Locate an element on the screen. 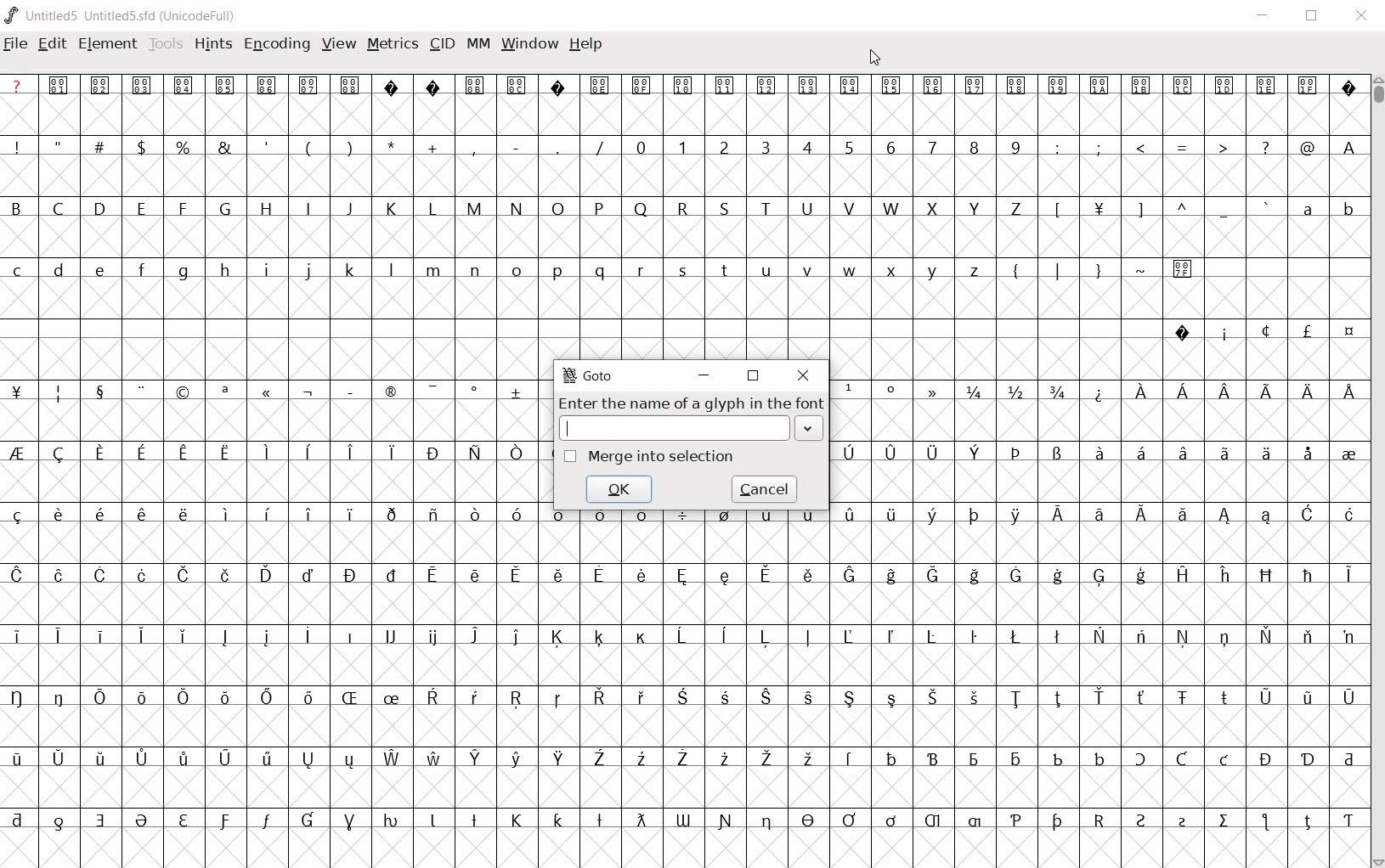 Image resolution: width=1385 pixels, height=868 pixels. Symbol is located at coordinates (432, 452).